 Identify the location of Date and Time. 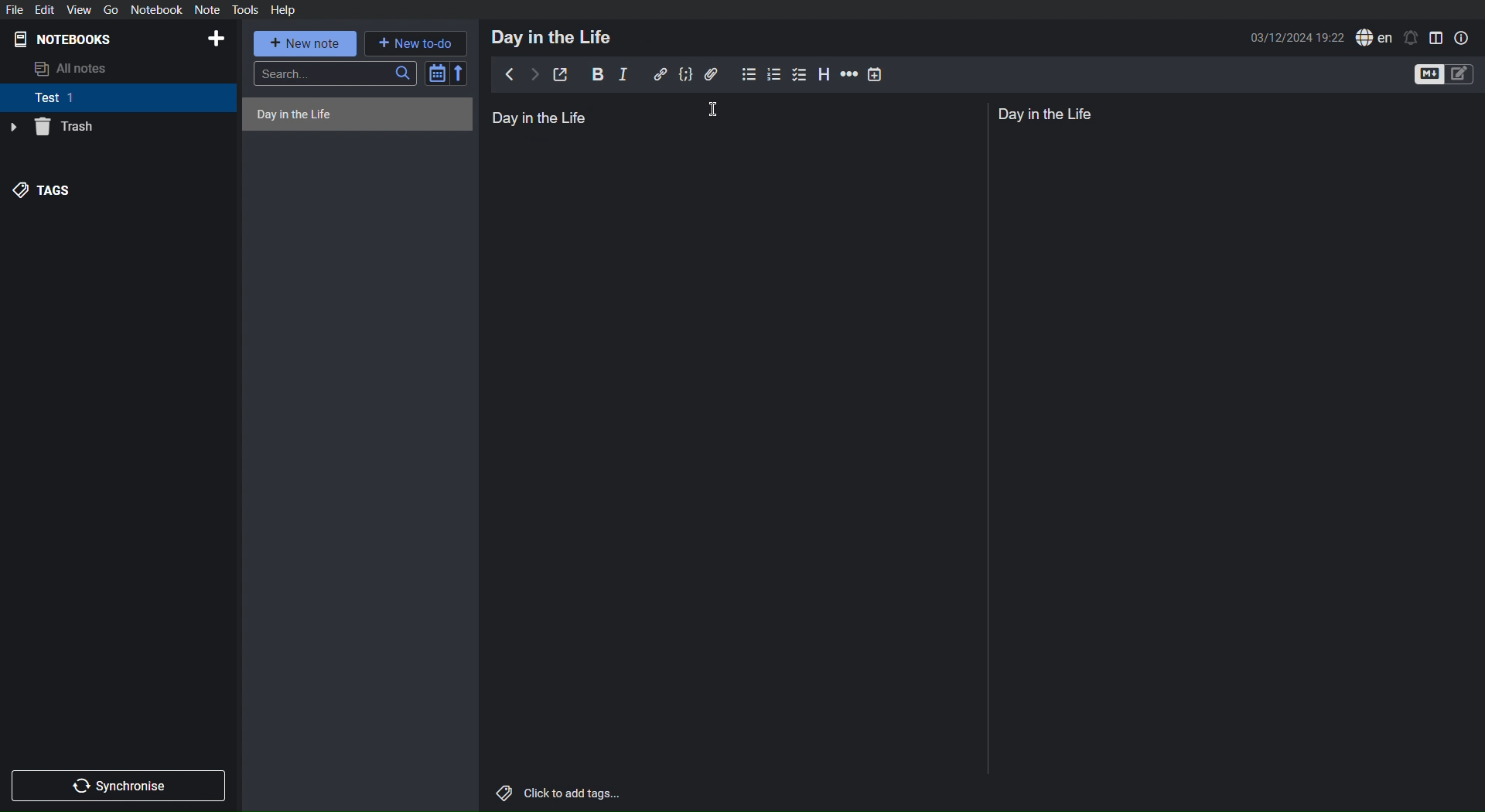
(1296, 38).